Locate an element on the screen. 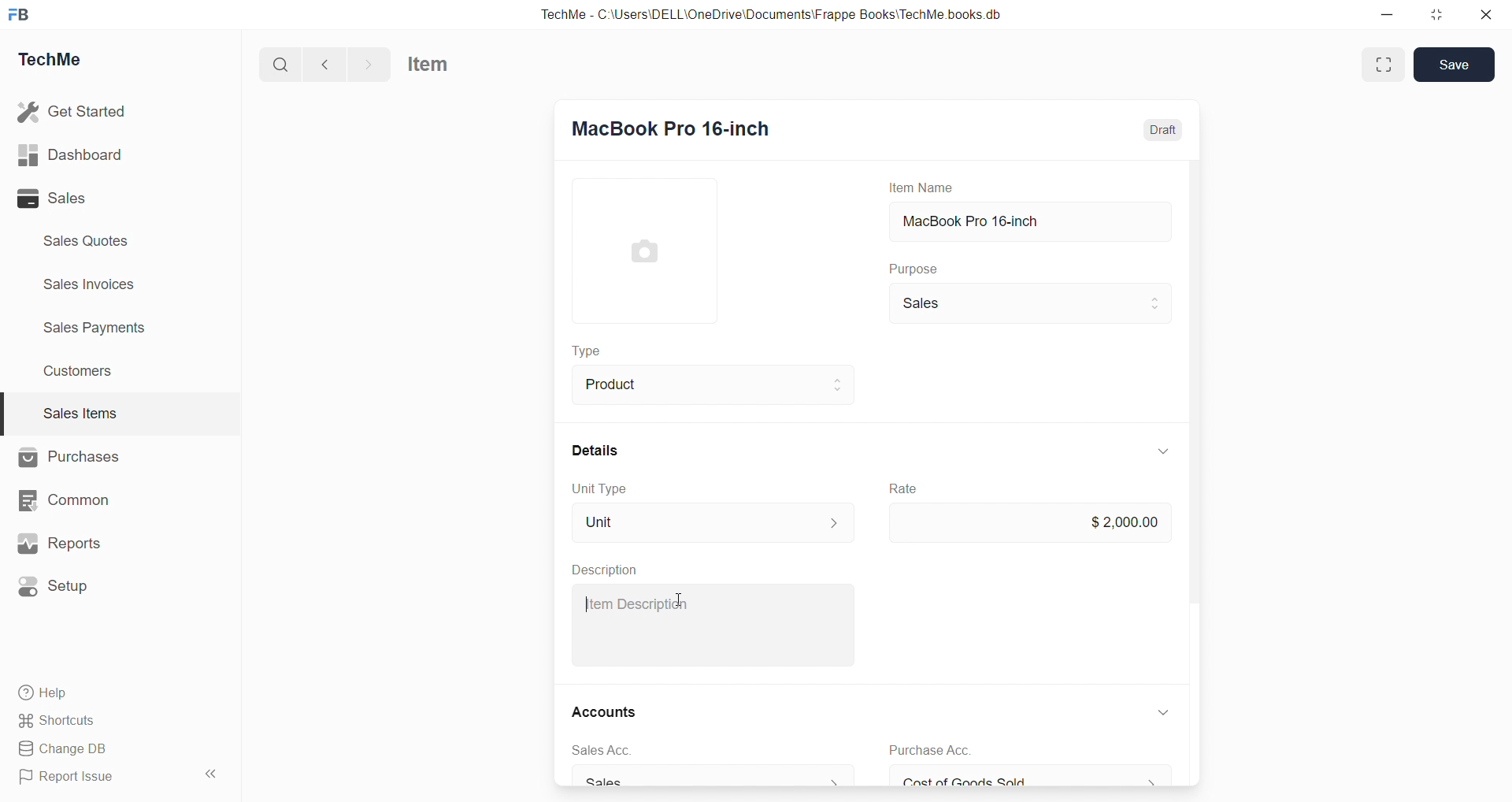  forward is located at coordinates (369, 64).